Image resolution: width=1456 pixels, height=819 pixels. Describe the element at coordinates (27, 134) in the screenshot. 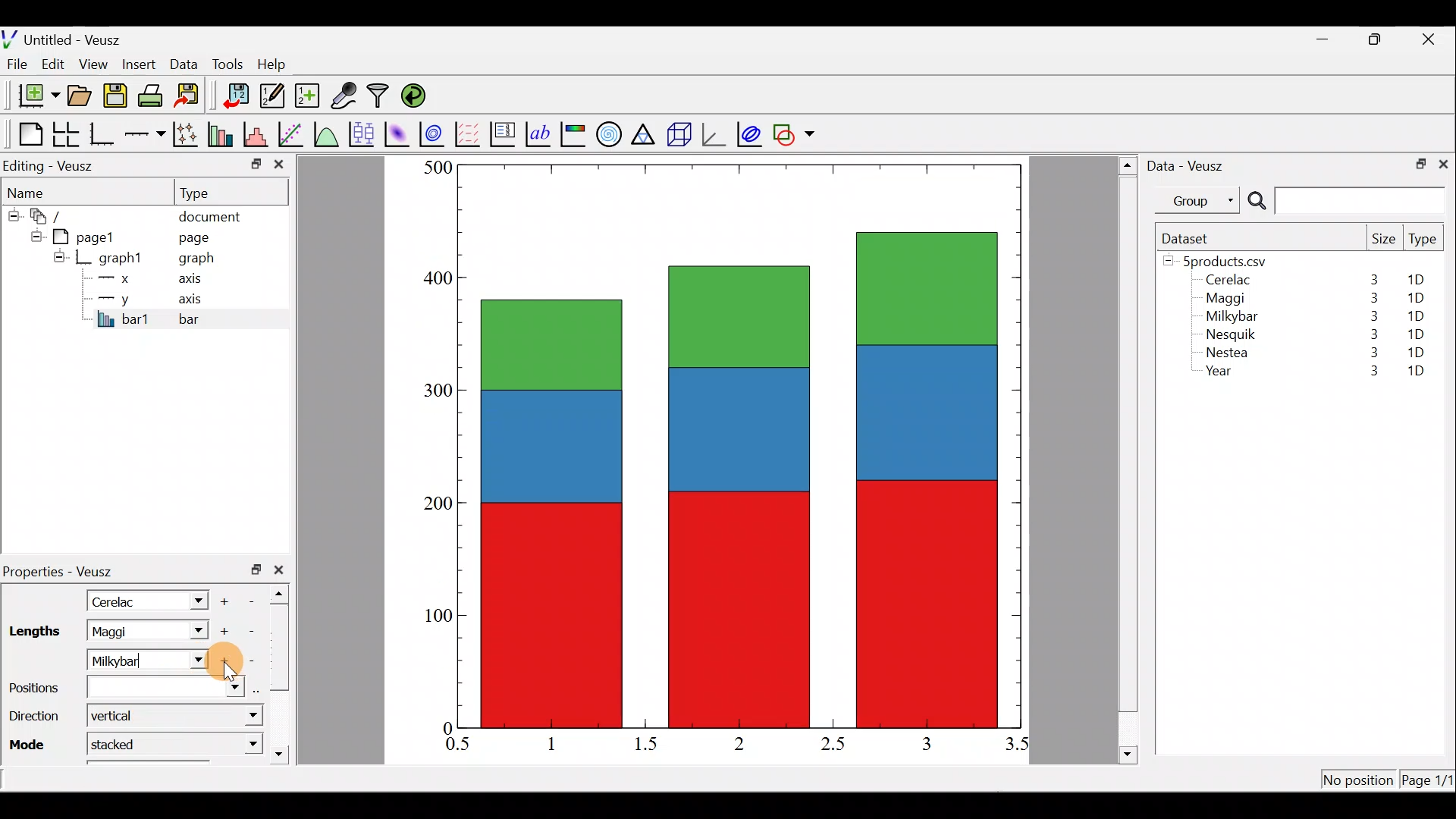

I see `Blank page` at that location.